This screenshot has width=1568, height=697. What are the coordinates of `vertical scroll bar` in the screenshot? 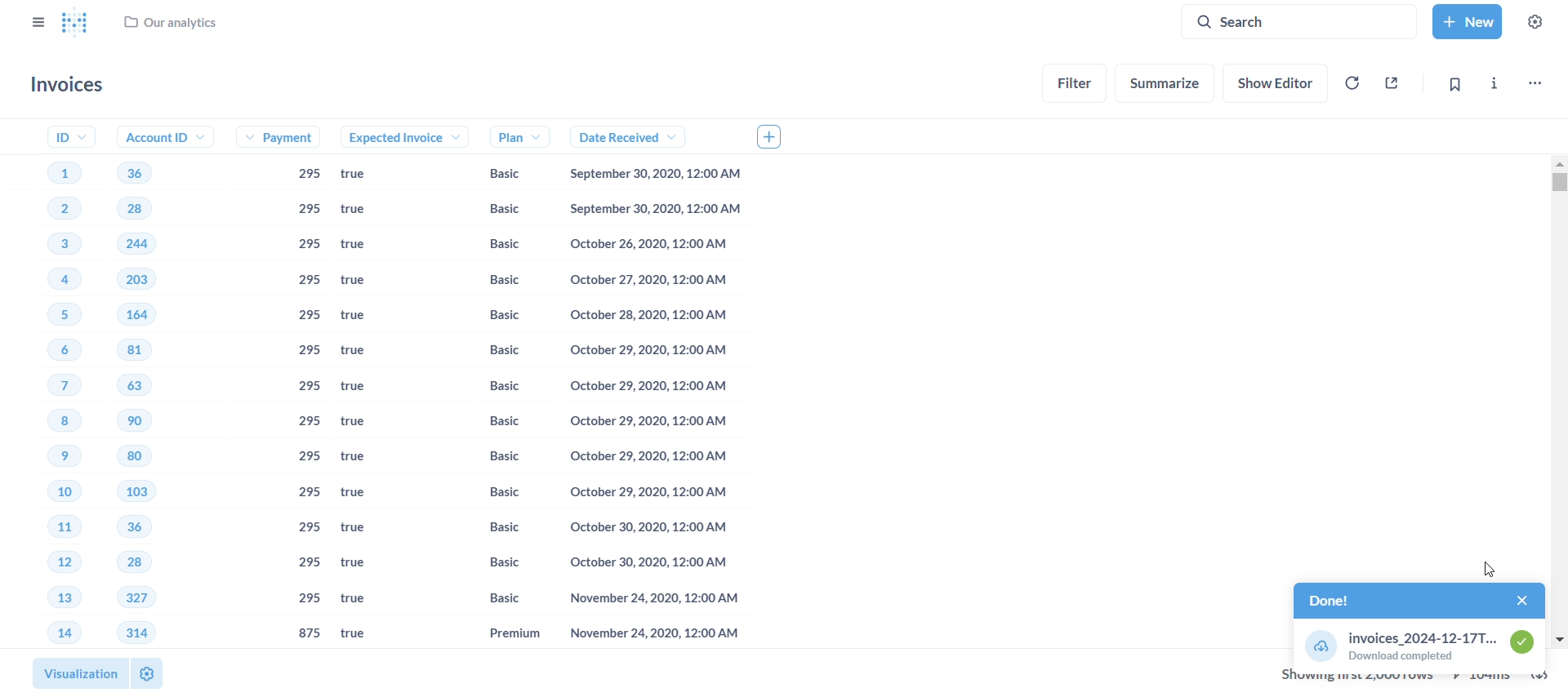 It's located at (1560, 402).